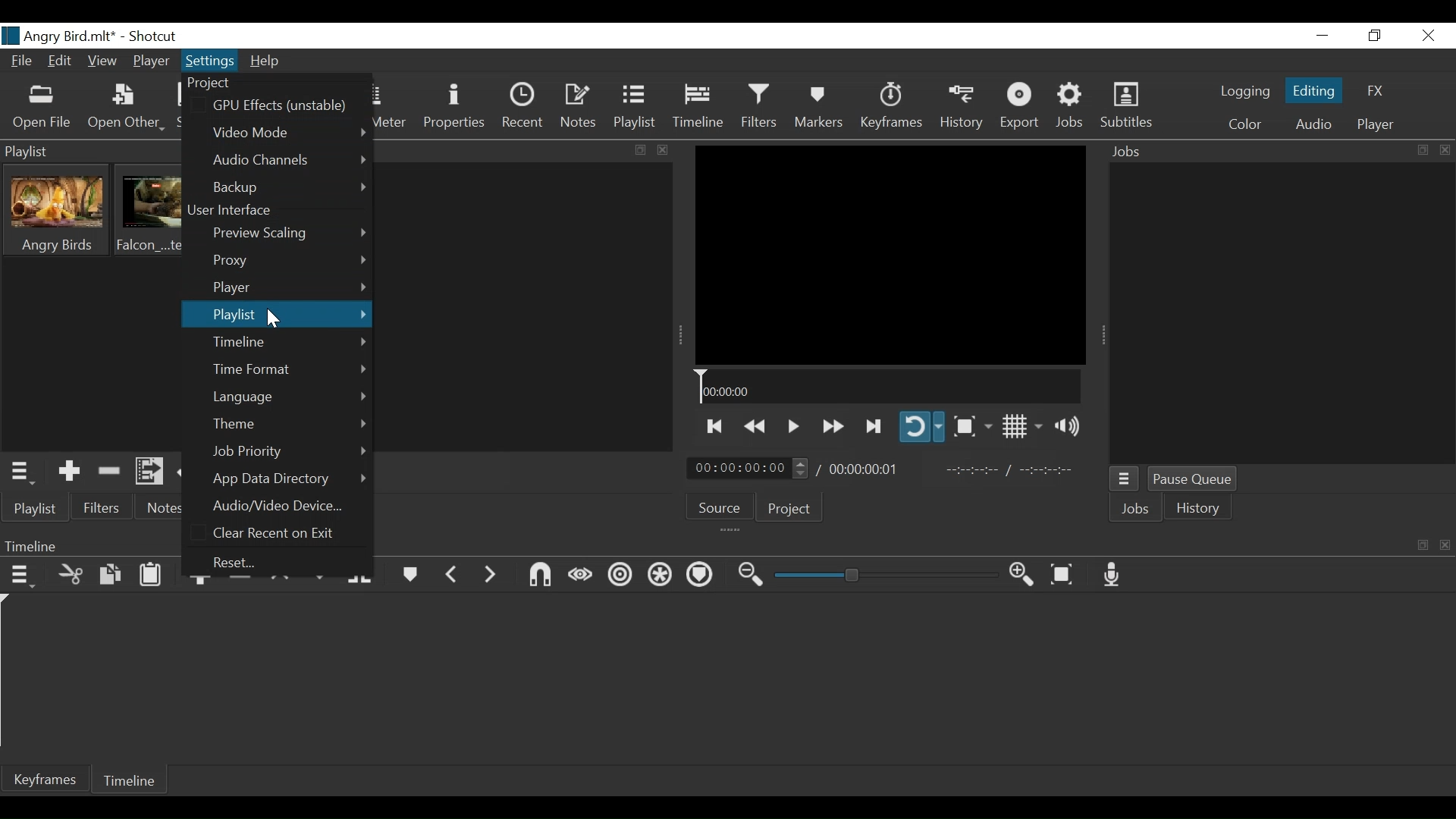 Image resolution: width=1456 pixels, height=819 pixels. I want to click on Ripple , so click(620, 578).